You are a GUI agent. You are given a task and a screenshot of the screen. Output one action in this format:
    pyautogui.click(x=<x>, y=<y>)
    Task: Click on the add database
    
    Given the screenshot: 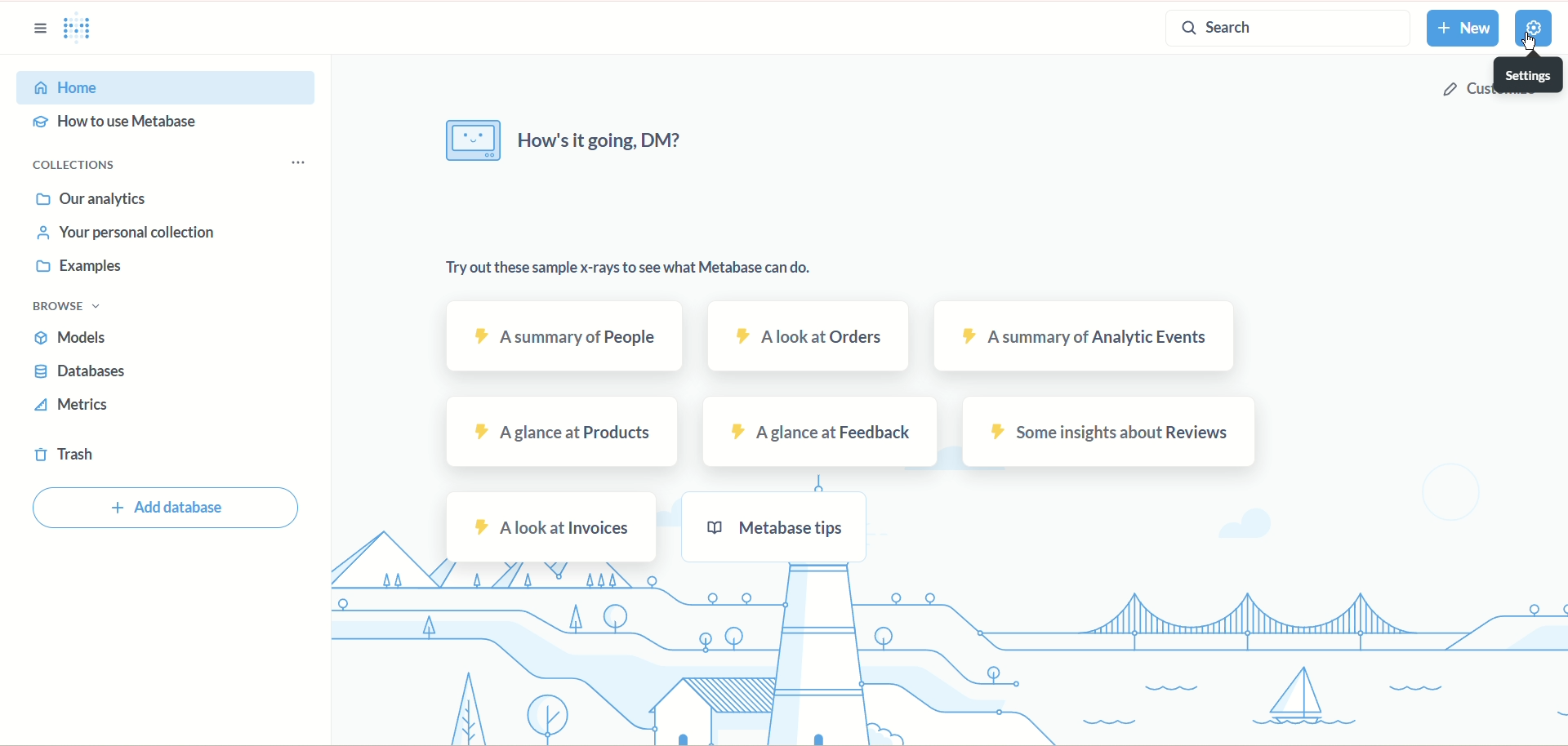 What is the action you would take?
    pyautogui.click(x=167, y=508)
    